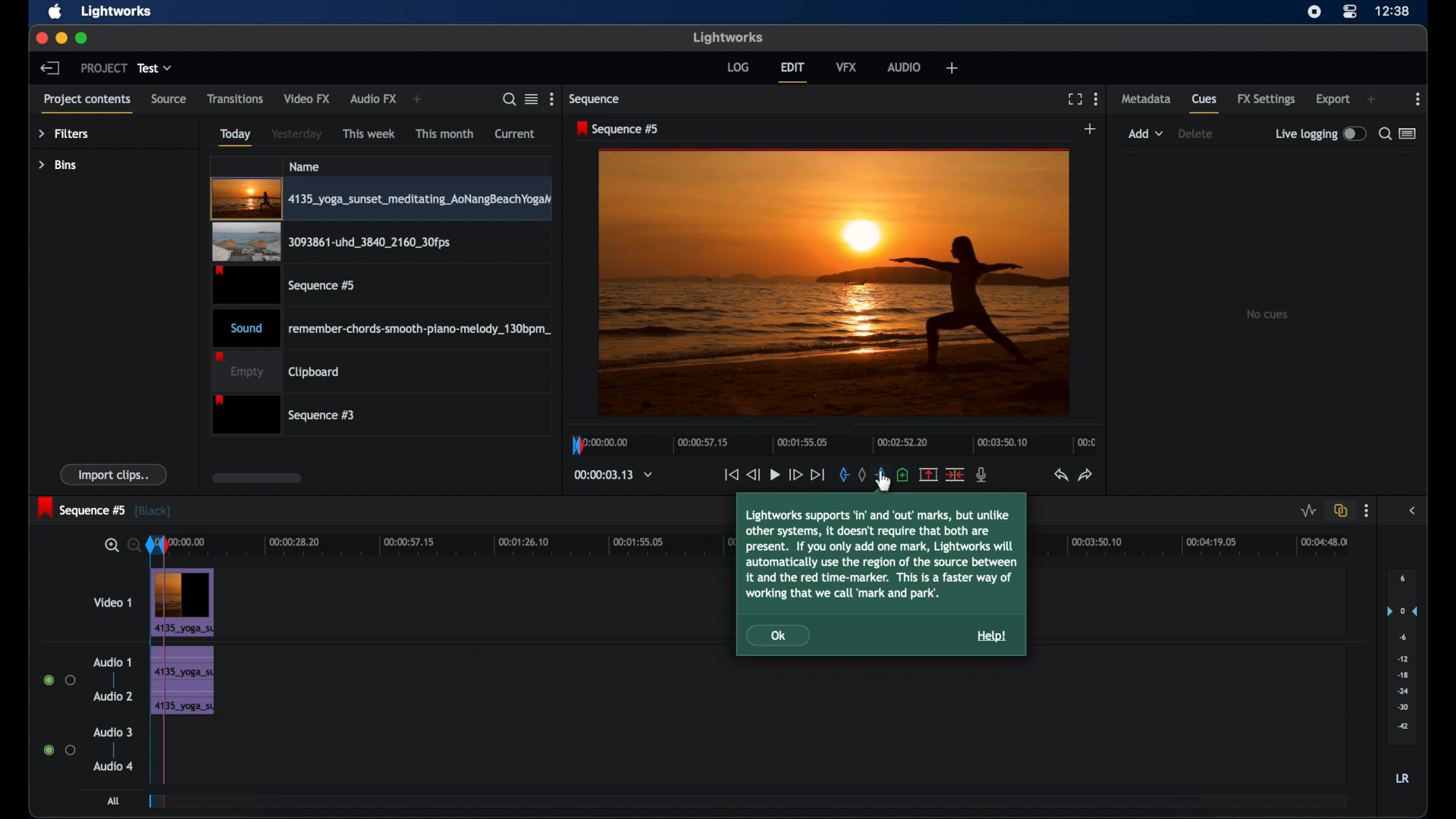 This screenshot has height=819, width=1456. Describe the element at coordinates (1407, 133) in the screenshot. I see `toggle between list or logger view` at that location.